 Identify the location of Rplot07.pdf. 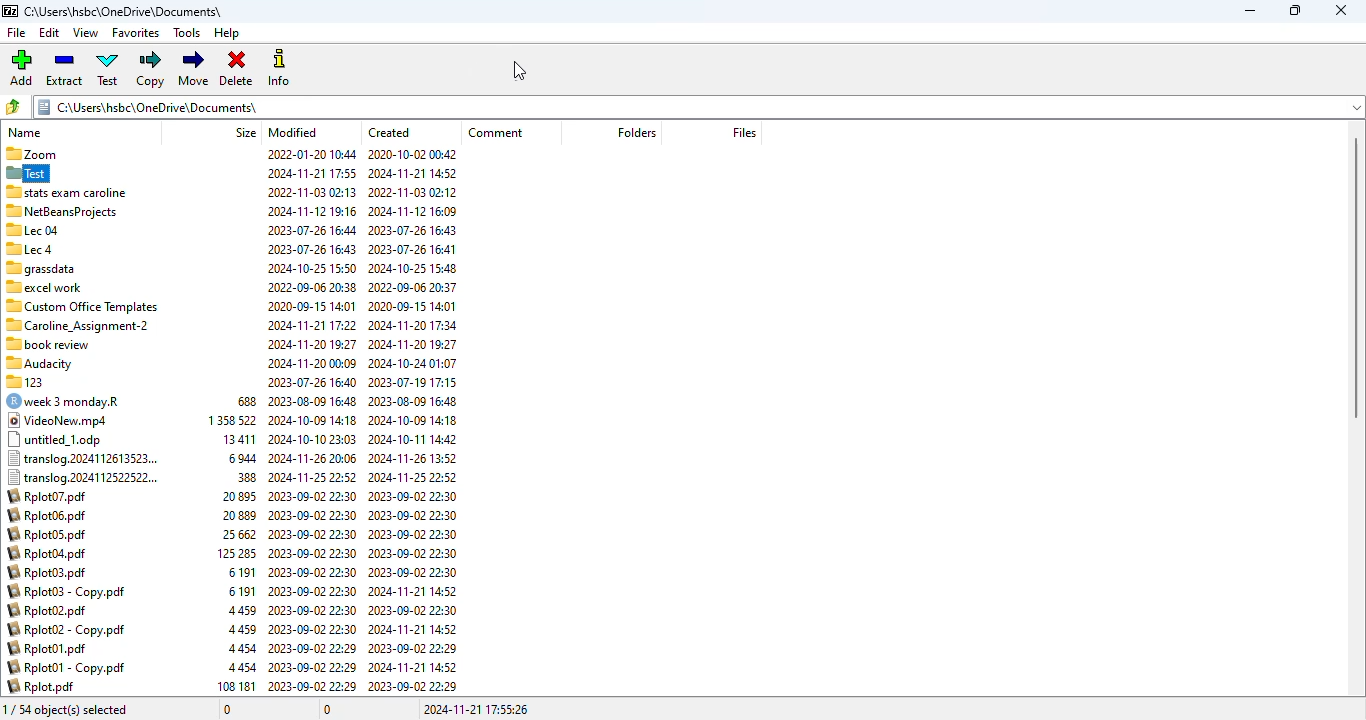
(47, 495).